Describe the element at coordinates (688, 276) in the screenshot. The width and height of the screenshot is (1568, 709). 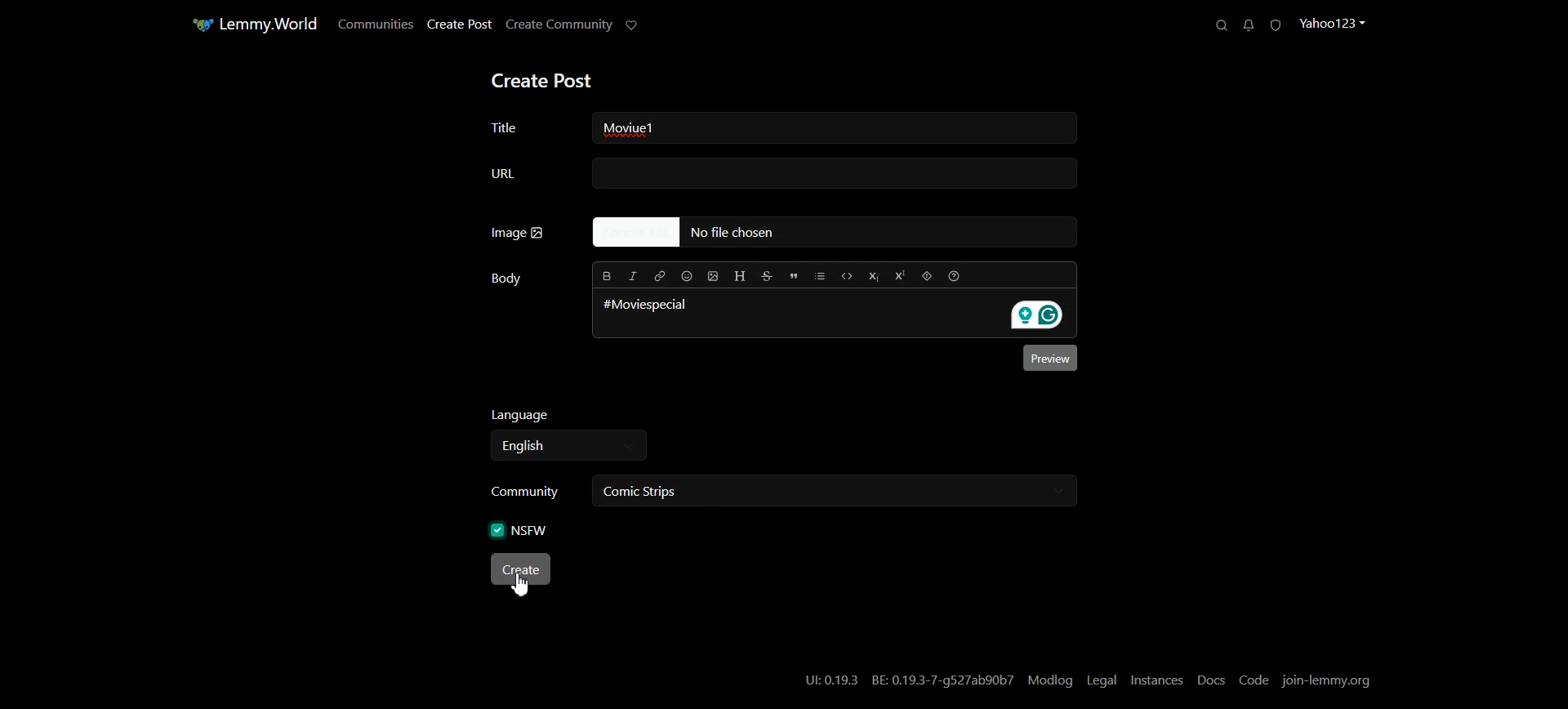
I see `Insert Emoji` at that location.